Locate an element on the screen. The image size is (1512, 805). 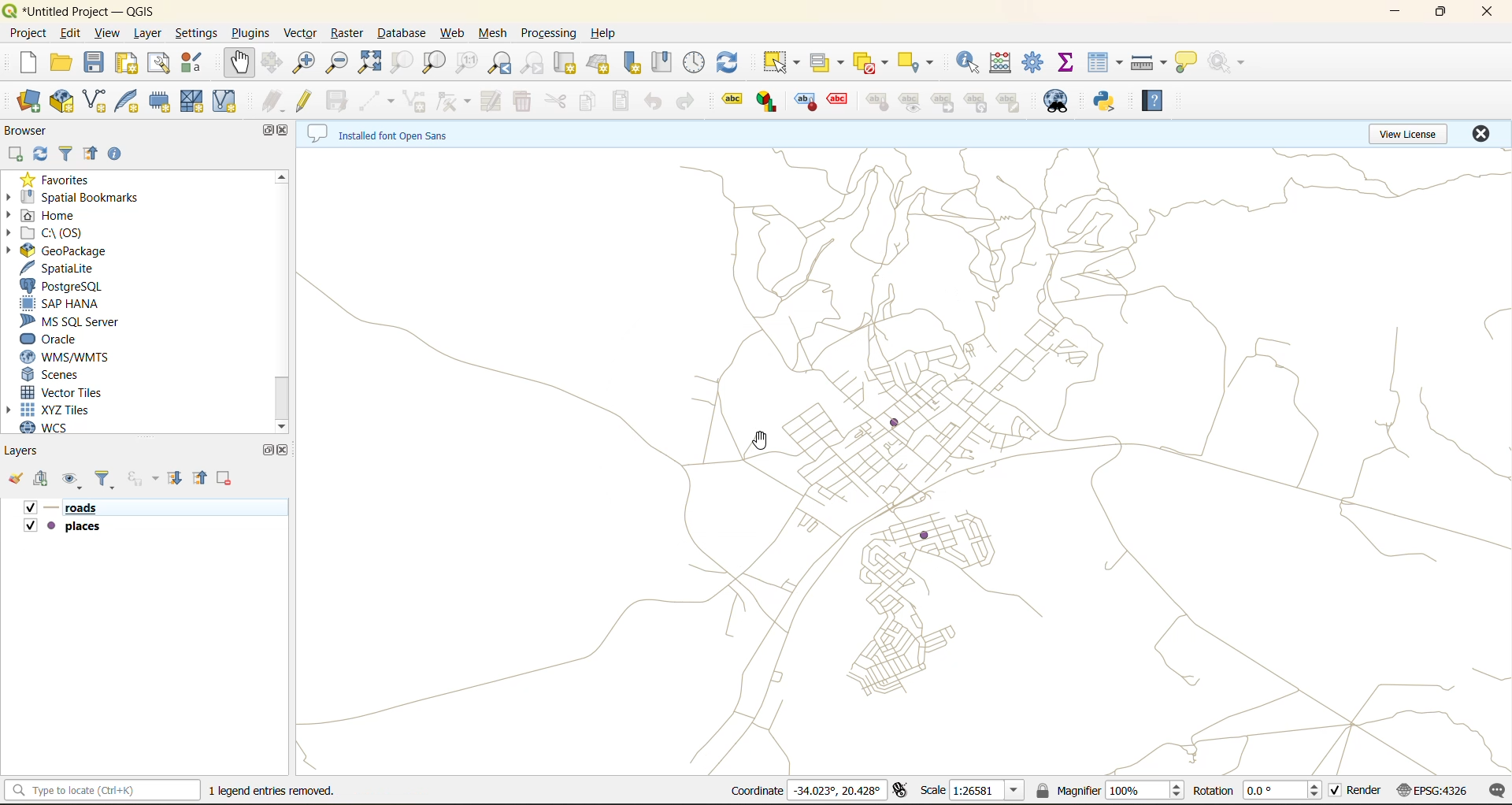
filter by expression is located at coordinates (142, 478).